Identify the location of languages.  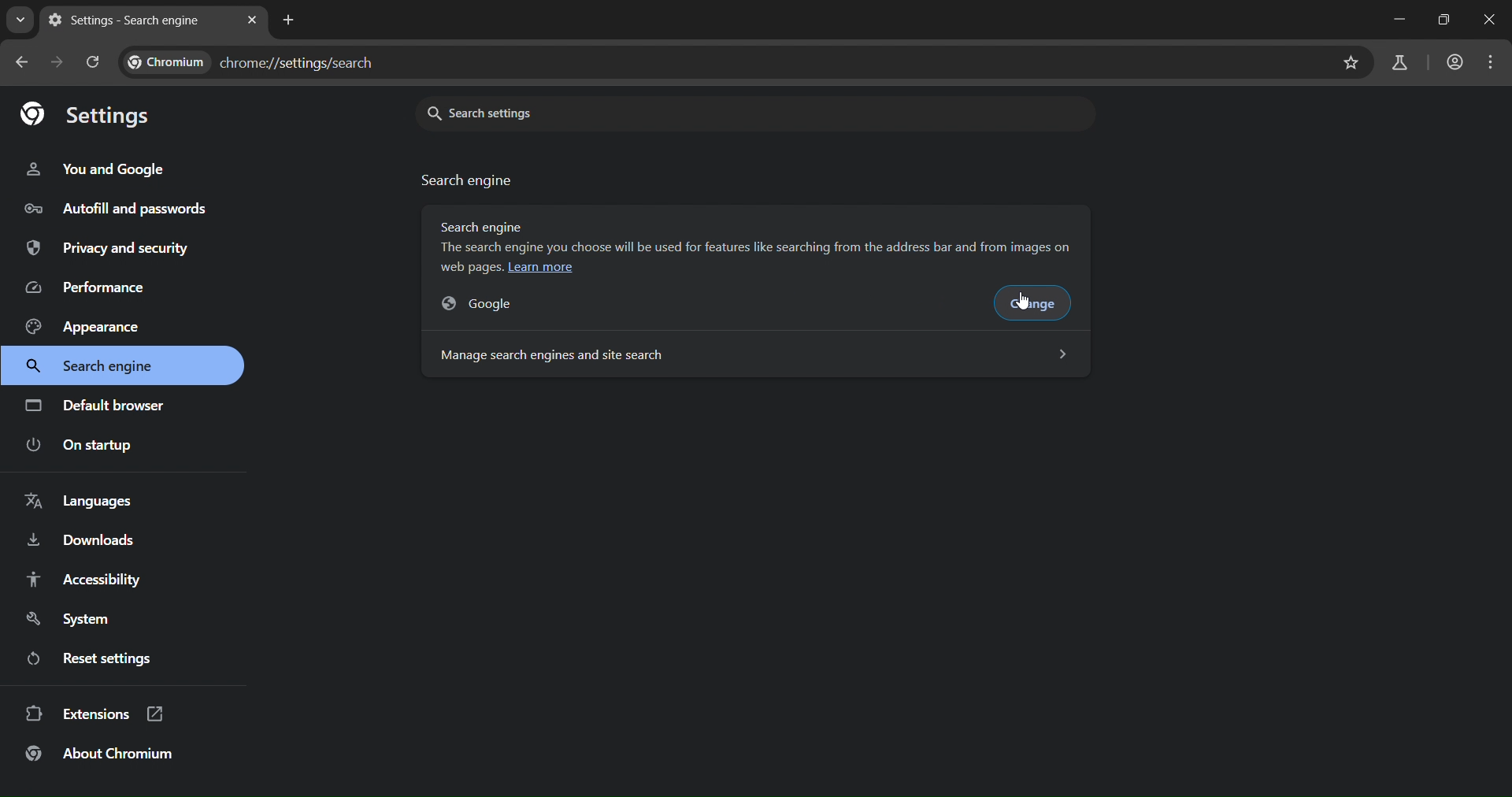
(85, 504).